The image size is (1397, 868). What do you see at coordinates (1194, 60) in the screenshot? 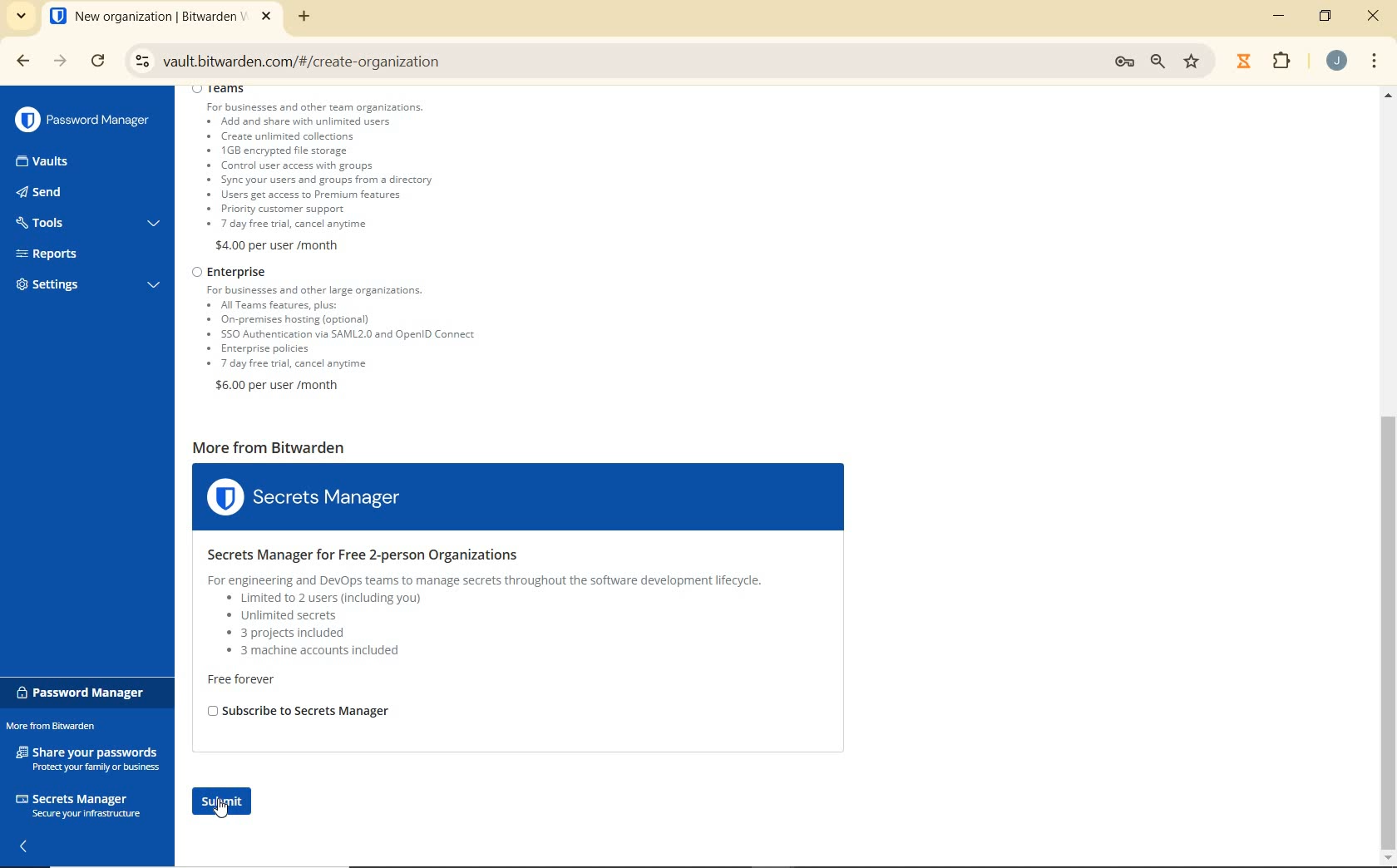
I see `bookmark this tab` at bounding box center [1194, 60].